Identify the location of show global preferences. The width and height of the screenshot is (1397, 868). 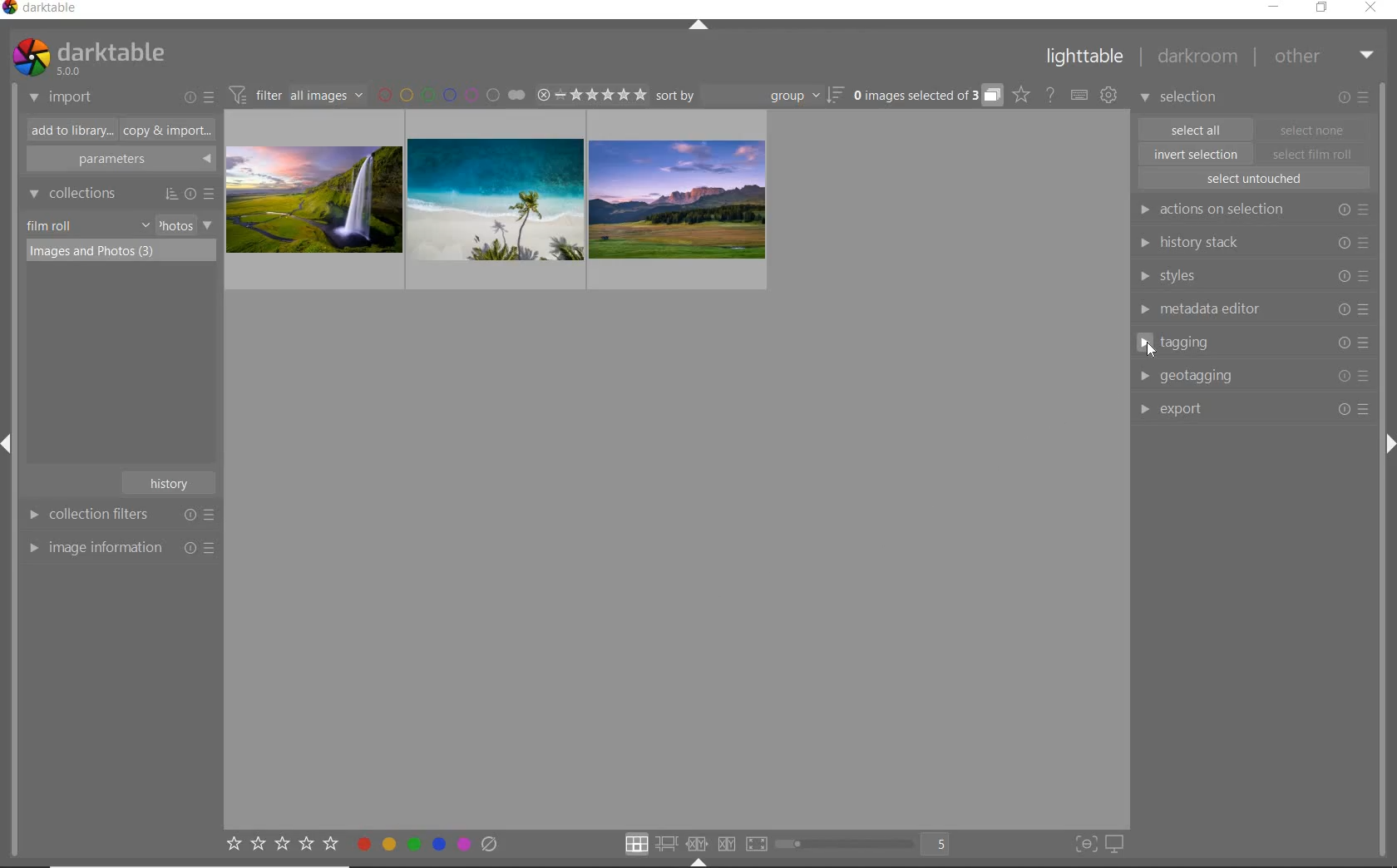
(1108, 96).